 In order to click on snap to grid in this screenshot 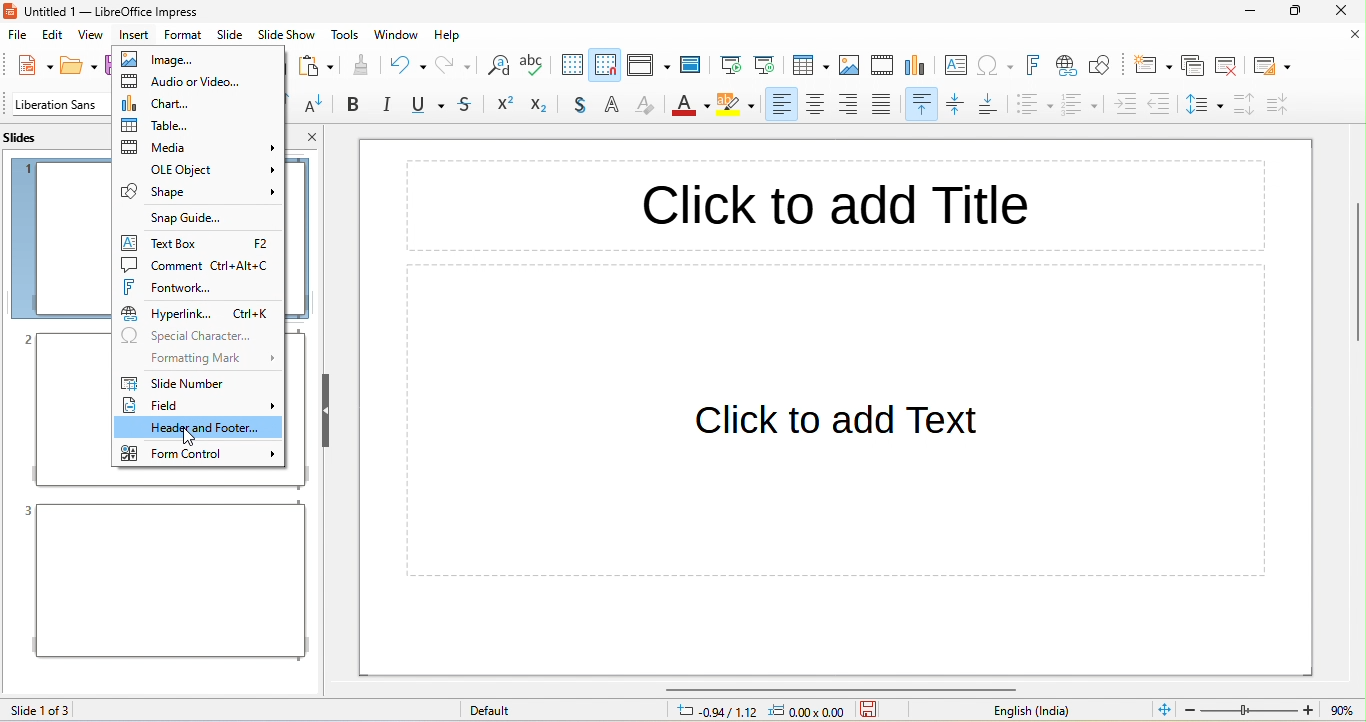, I will do `click(605, 64)`.